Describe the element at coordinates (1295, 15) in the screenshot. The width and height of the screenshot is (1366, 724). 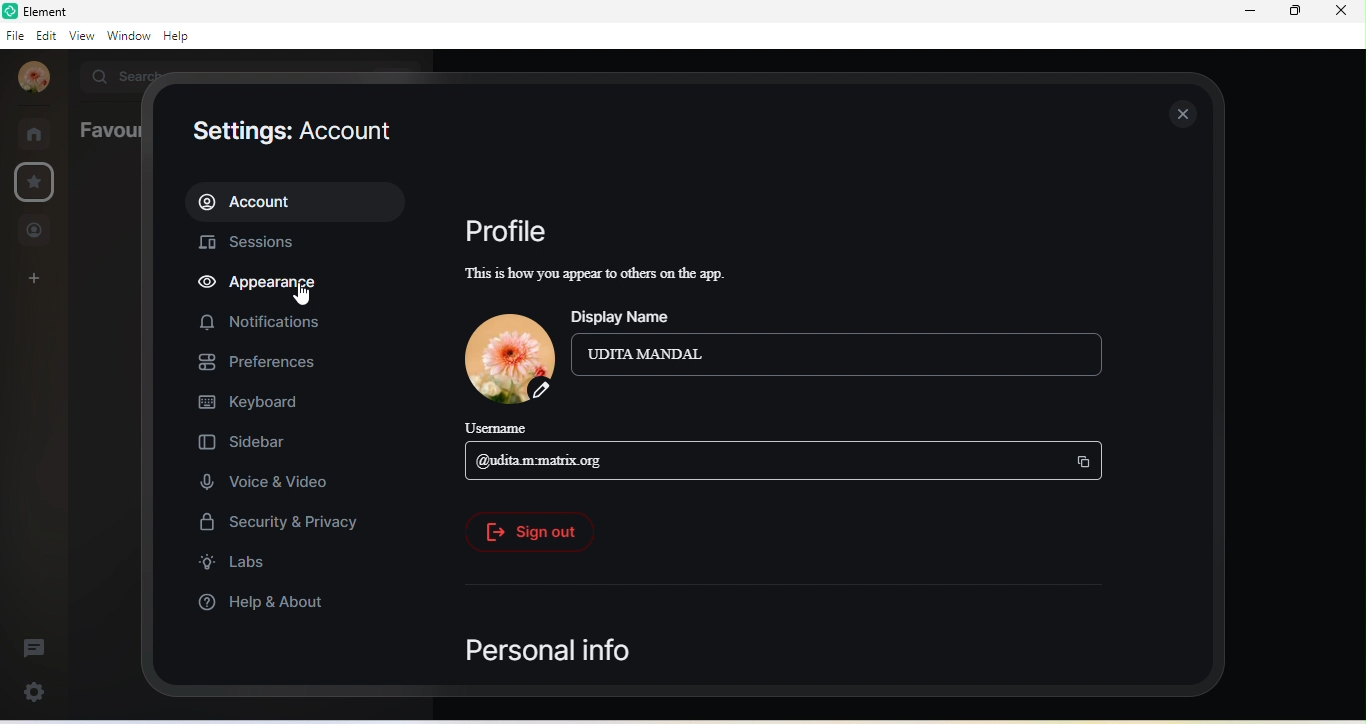
I see `maximize` at that location.